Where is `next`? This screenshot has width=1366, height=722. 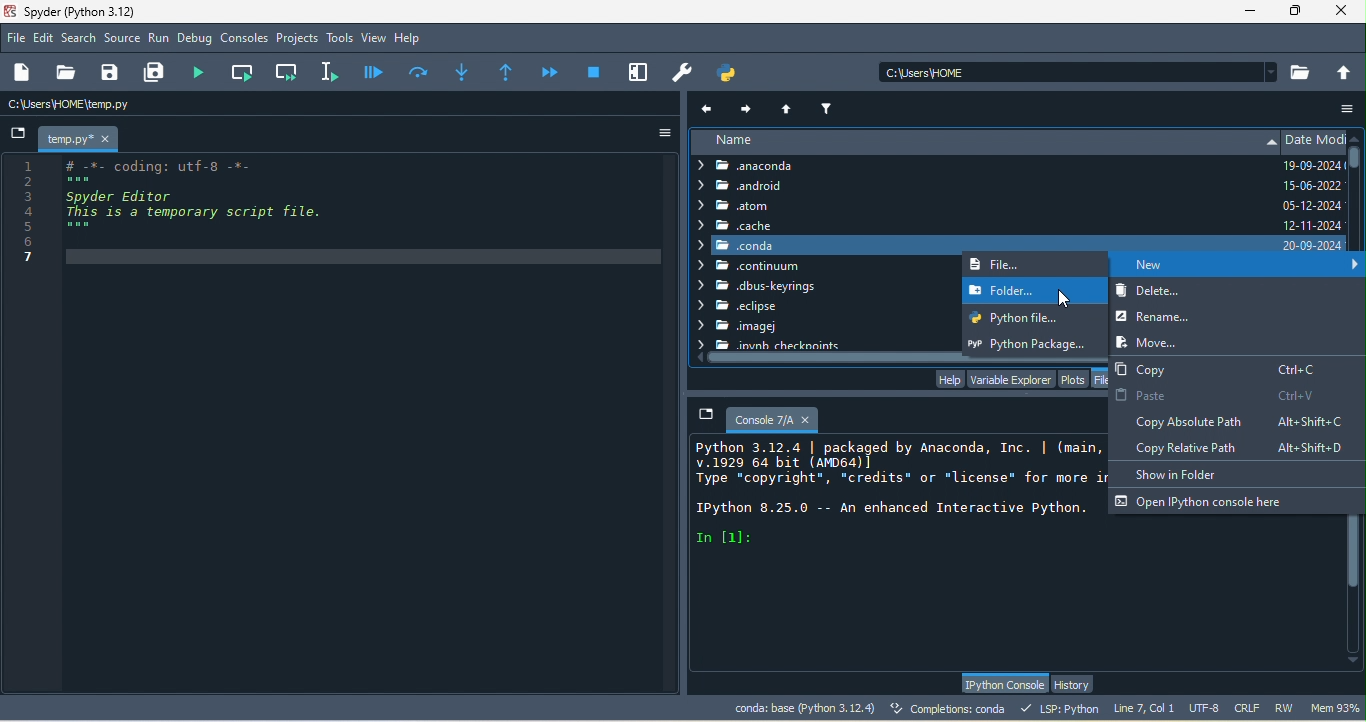 next is located at coordinates (747, 106).